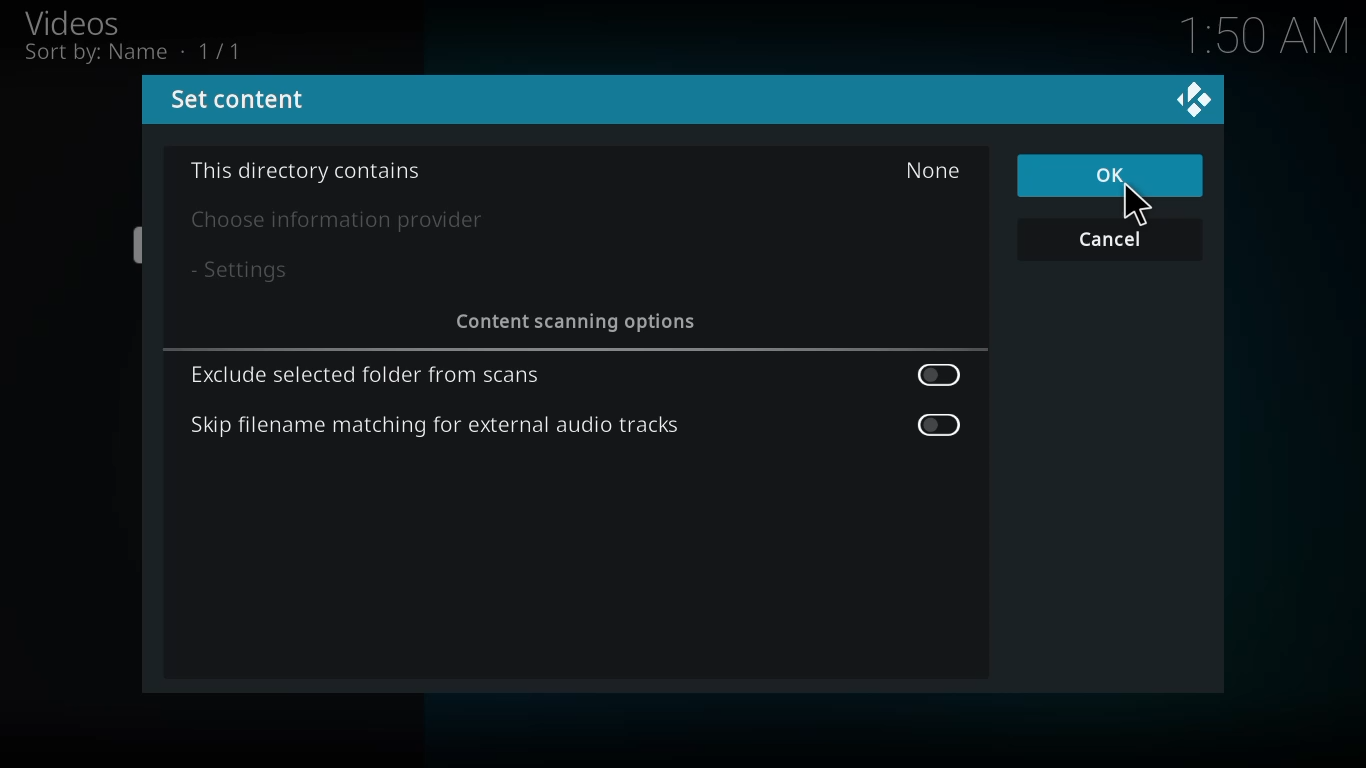 Image resolution: width=1366 pixels, height=768 pixels. Describe the element at coordinates (938, 376) in the screenshot. I see `enable` at that location.